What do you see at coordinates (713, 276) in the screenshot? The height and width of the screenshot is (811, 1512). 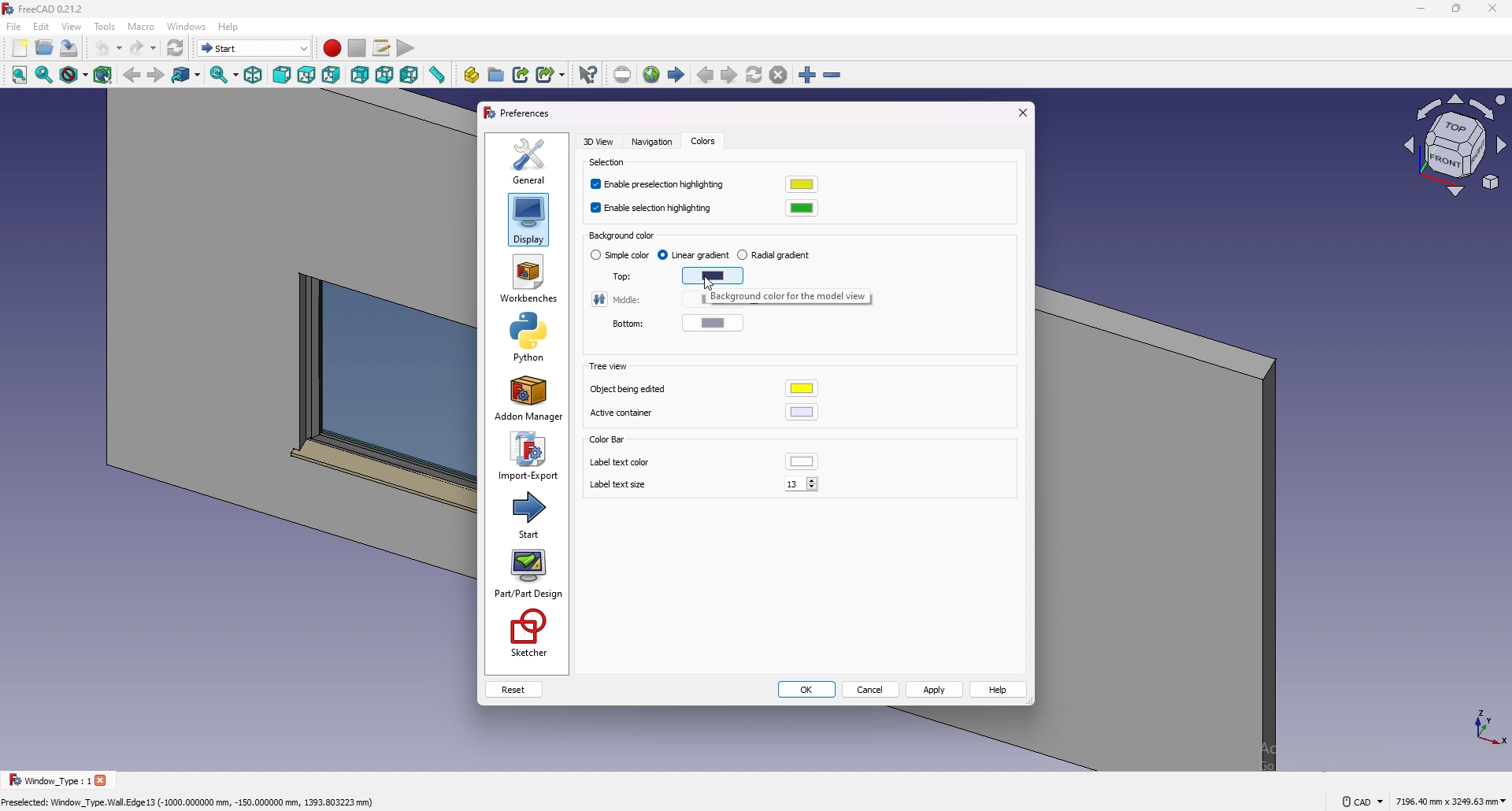 I see `top color` at bounding box center [713, 276].